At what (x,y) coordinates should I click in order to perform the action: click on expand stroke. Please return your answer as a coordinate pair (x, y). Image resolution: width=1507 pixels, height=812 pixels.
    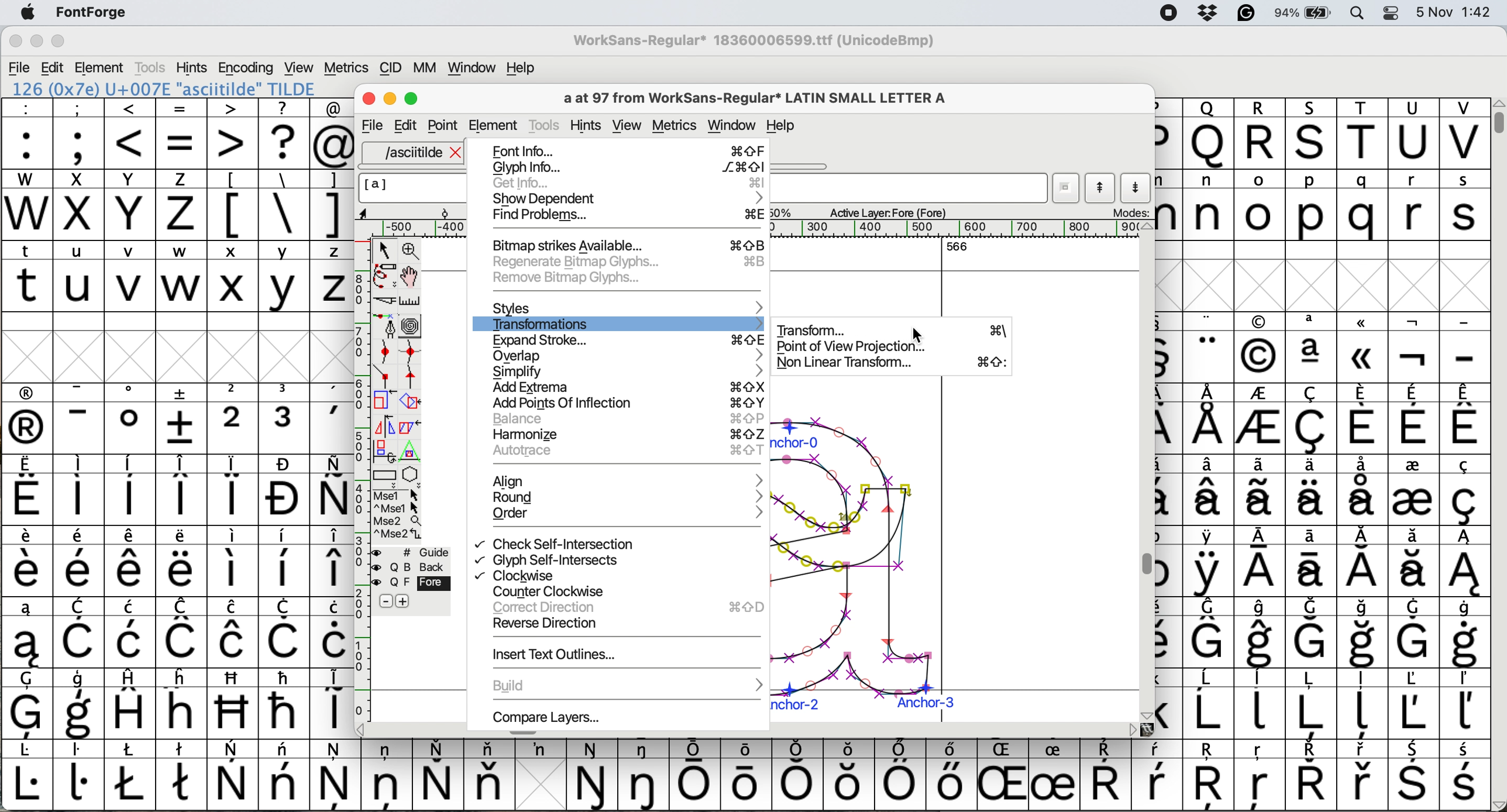
    Looking at the image, I should click on (628, 340).